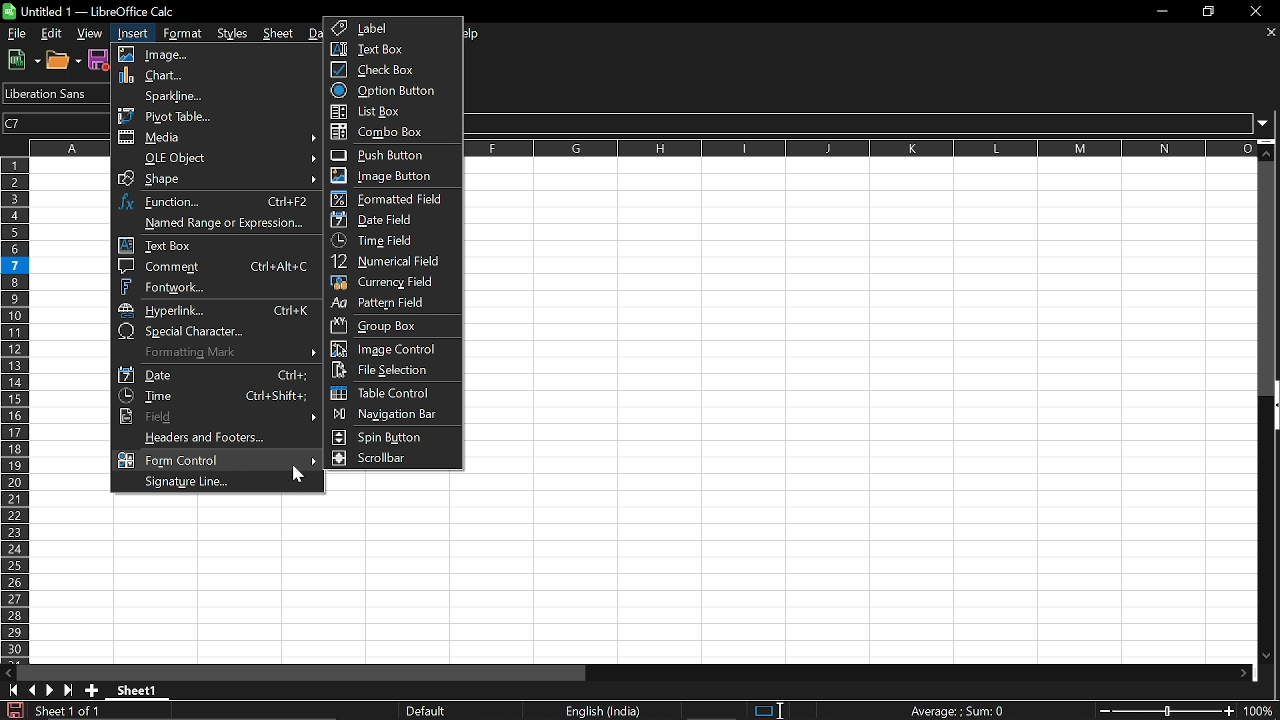 The image size is (1280, 720). I want to click on List Box, so click(395, 112).